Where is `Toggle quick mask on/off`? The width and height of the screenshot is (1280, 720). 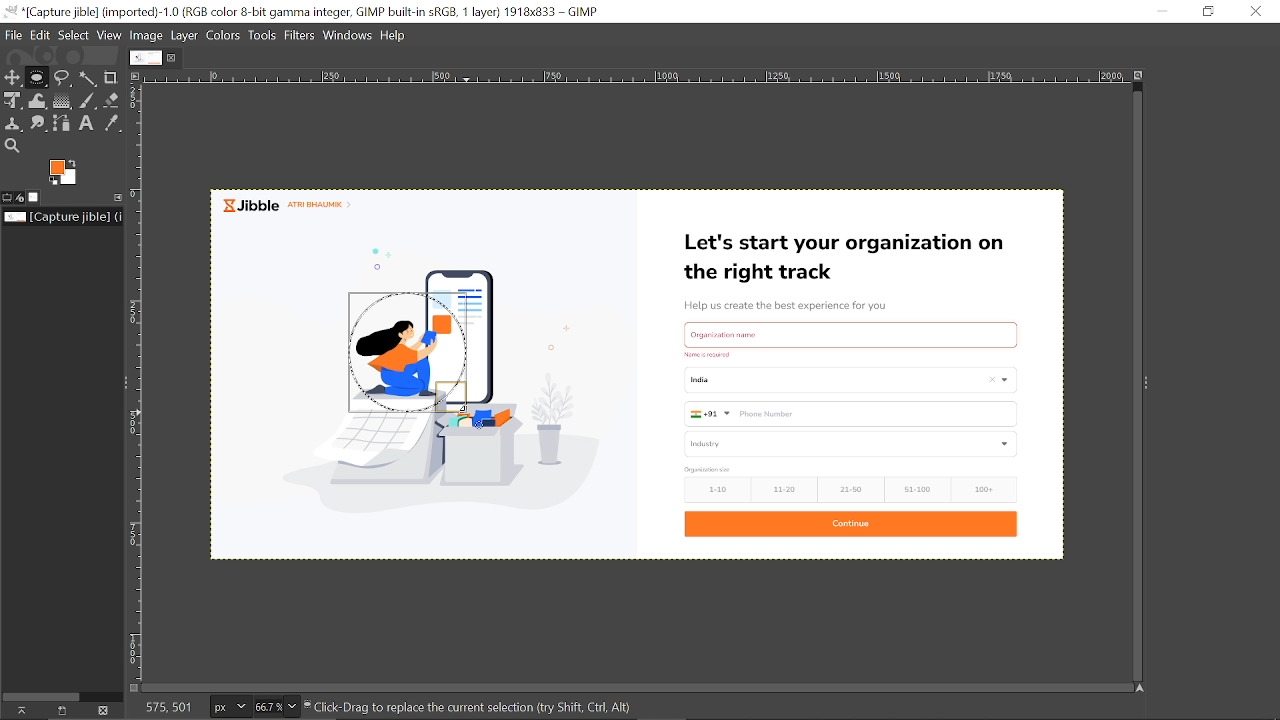 Toggle quick mask on/off is located at coordinates (133, 686).